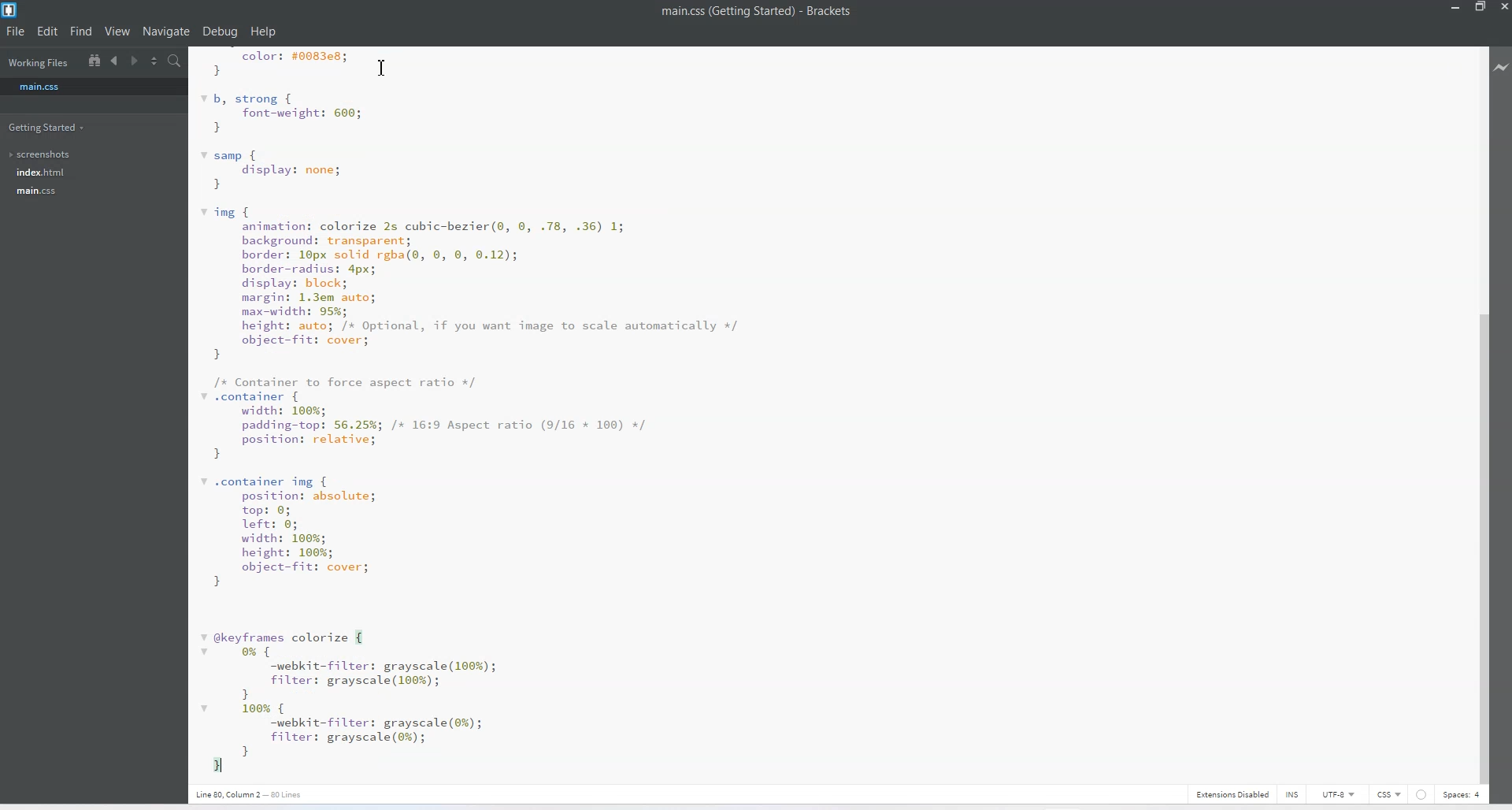  I want to click on INS, so click(1291, 794).